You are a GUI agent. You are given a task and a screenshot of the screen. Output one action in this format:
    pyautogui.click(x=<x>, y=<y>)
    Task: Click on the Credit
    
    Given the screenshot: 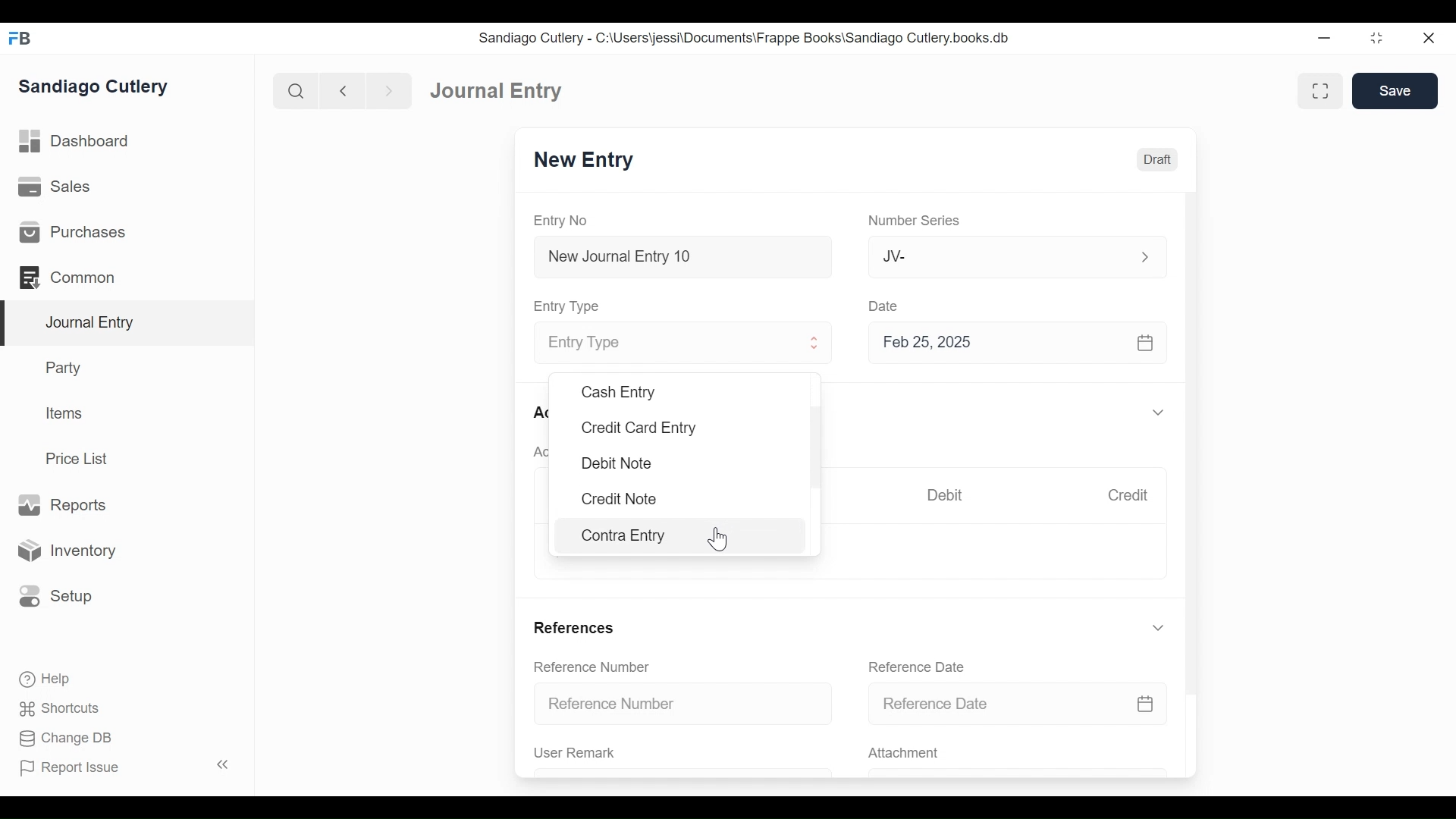 What is the action you would take?
    pyautogui.click(x=1131, y=497)
    